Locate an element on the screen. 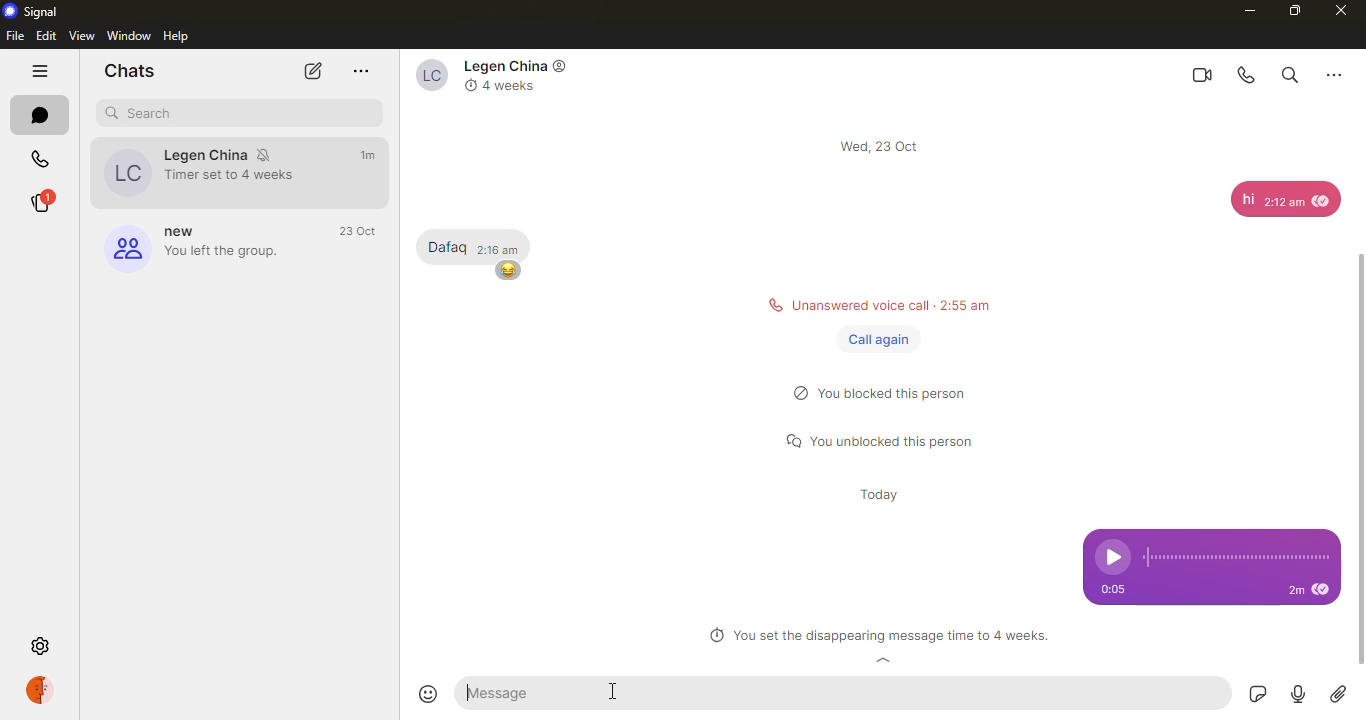 This screenshot has height=720, width=1366. 23 oct is located at coordinates (361, 232).